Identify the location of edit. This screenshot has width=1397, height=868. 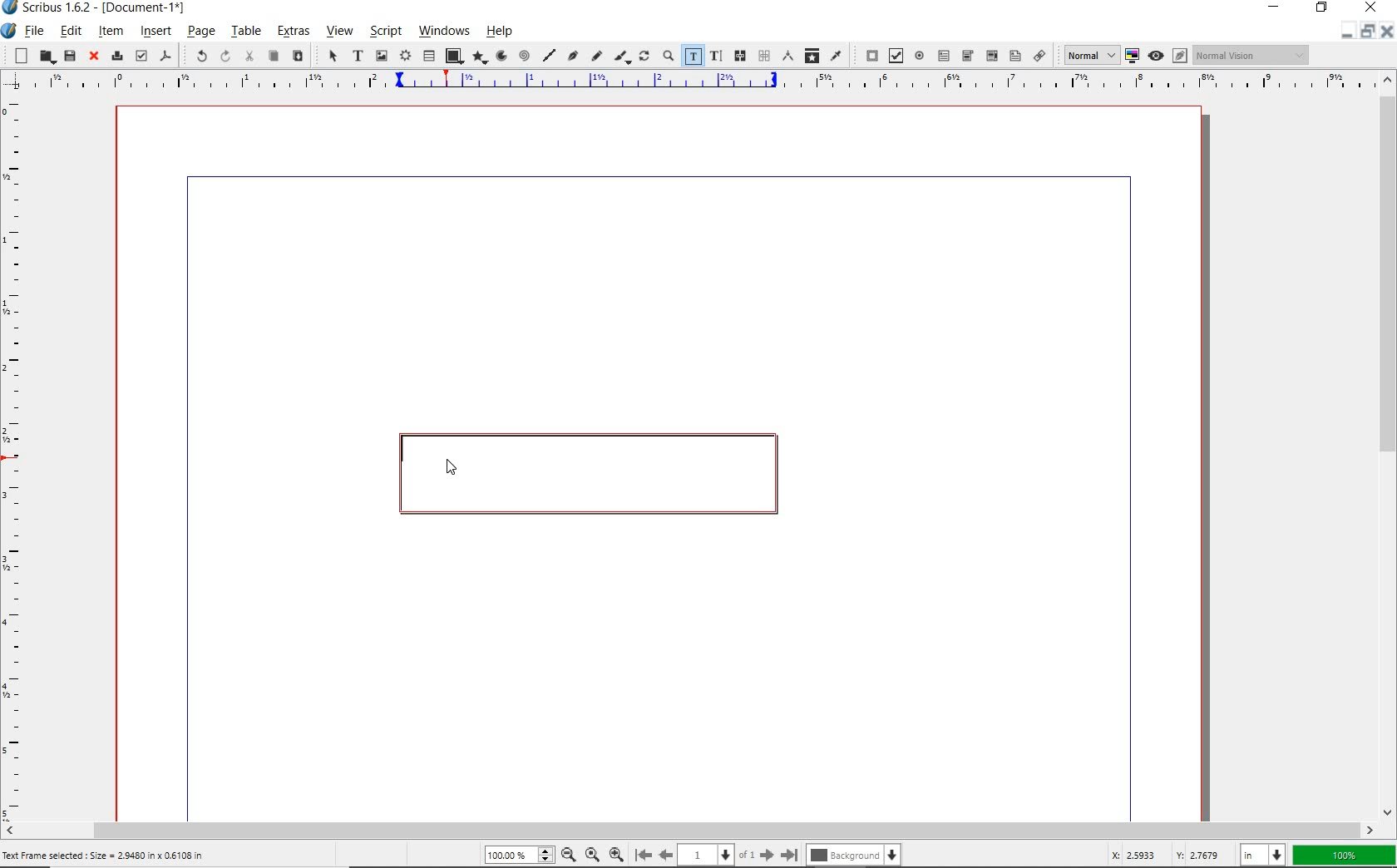
(71, 31).